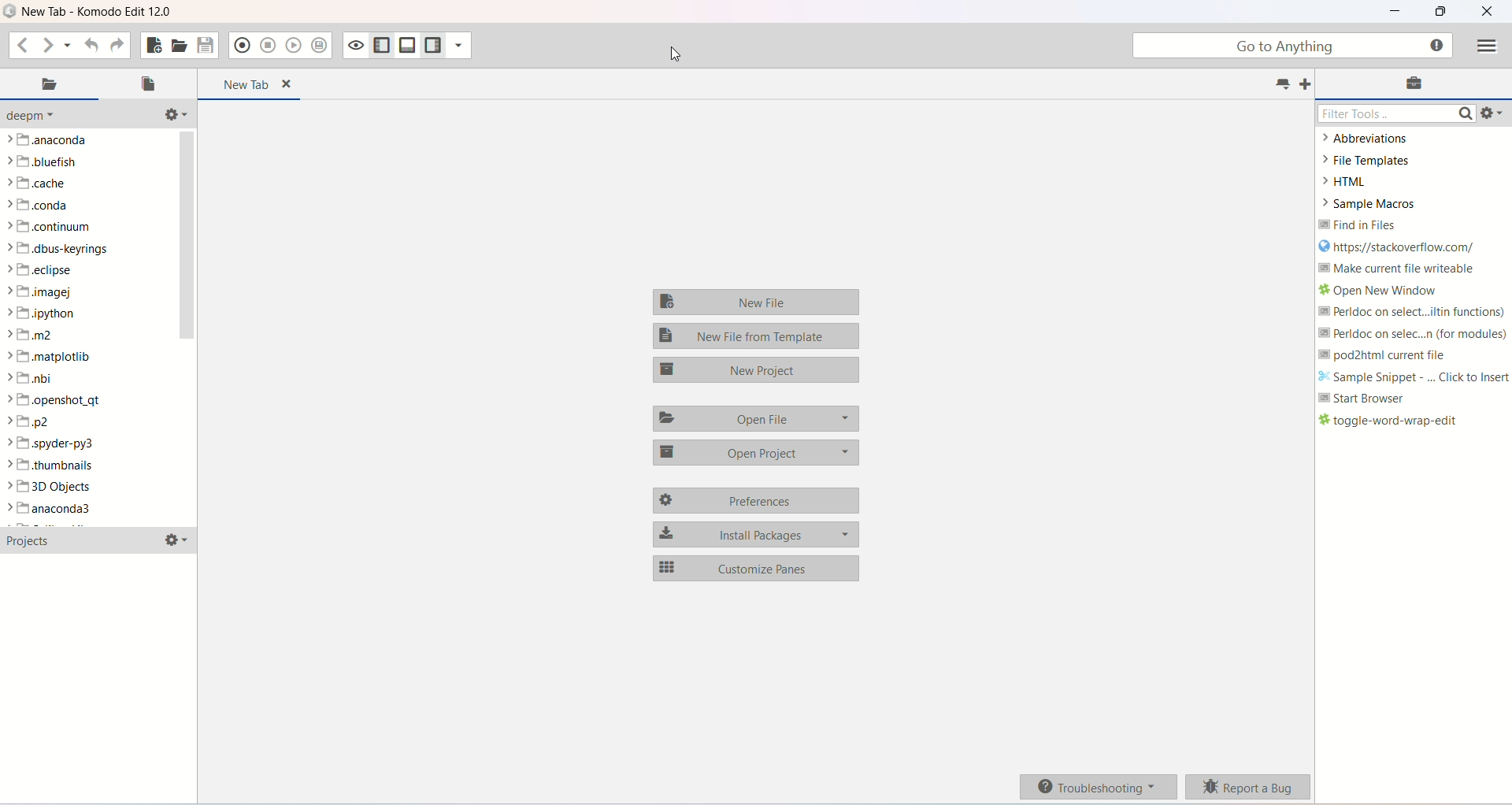 The height and width of the screenshot is (805, 1512). What do you see at coordinates (676, 54) in the screenshot?
I see `cursor` at bounding box center [676, 54].